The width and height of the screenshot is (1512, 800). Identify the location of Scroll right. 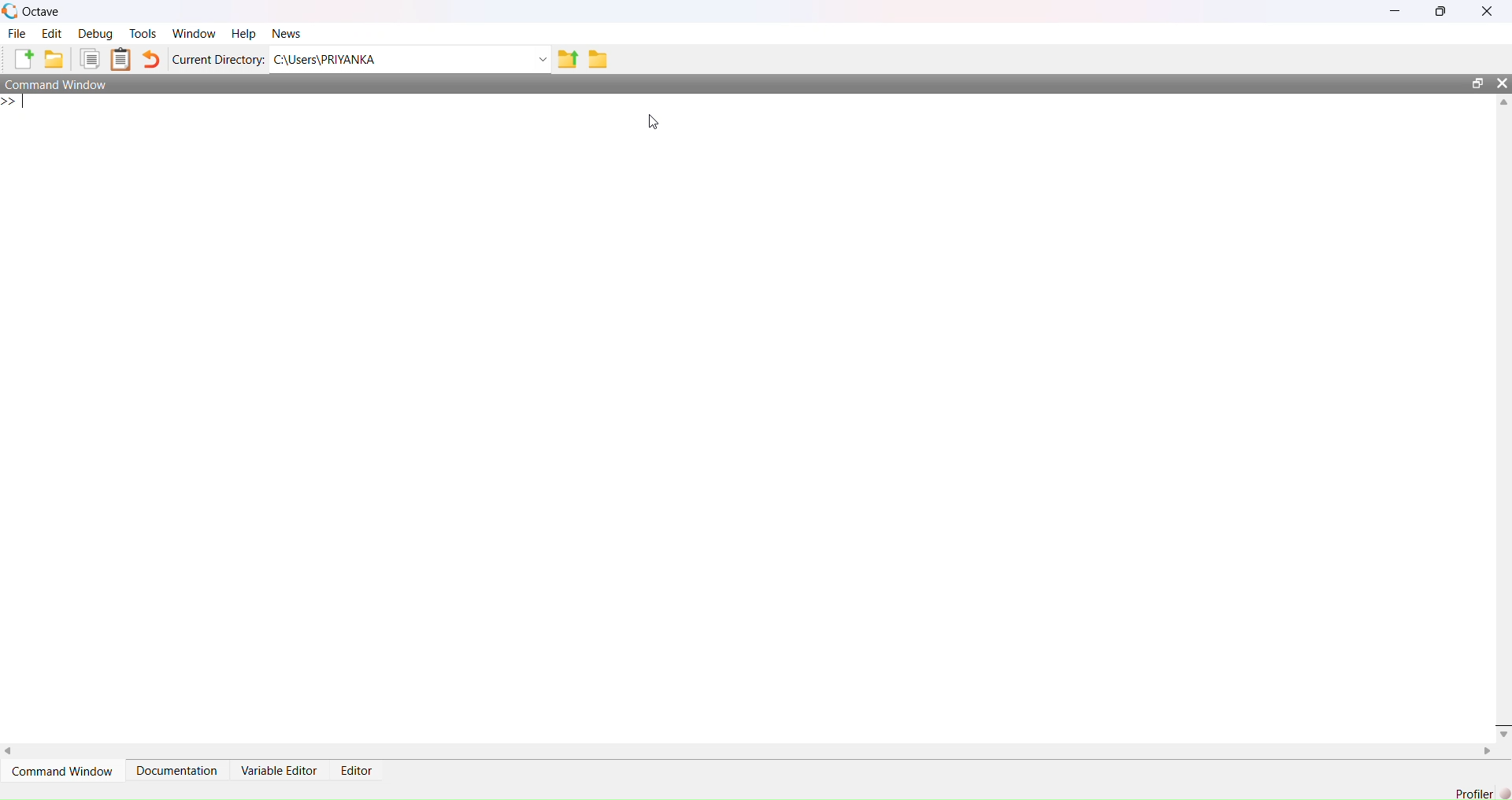
(9, 752).